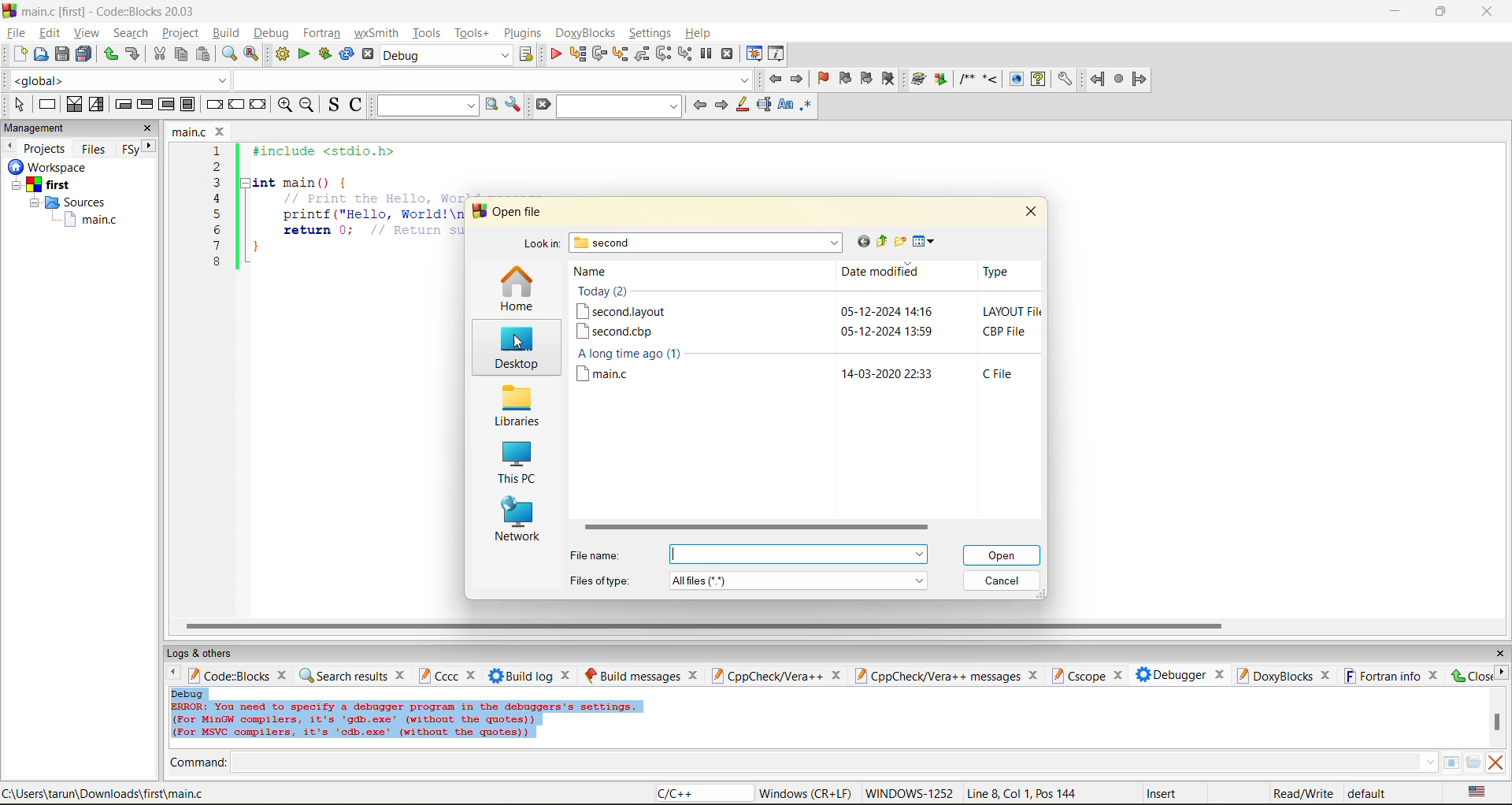  What do you see at coordinates (129, 150) in the screenshot?
I see `Fsy` at bounding box center [129, 150].